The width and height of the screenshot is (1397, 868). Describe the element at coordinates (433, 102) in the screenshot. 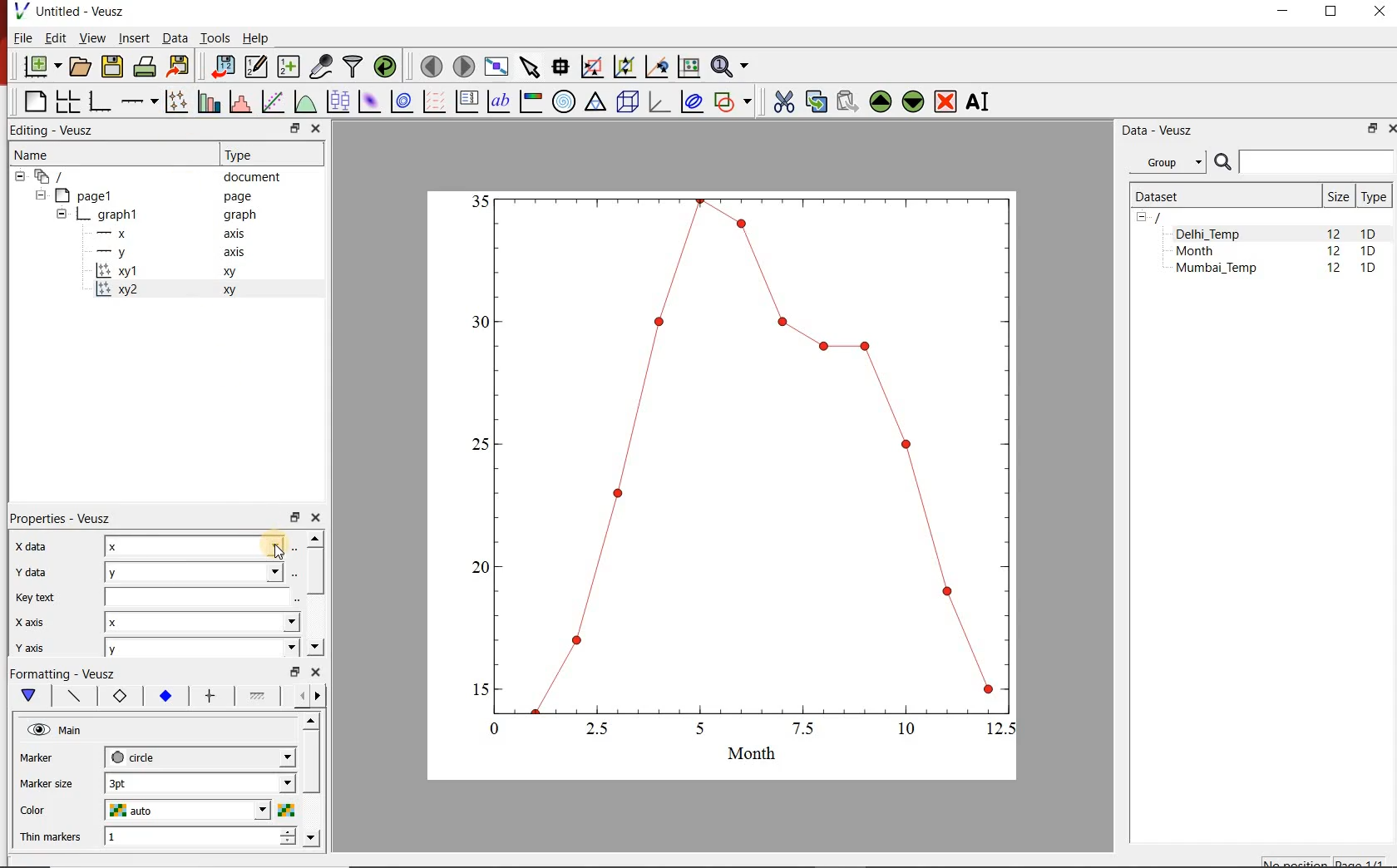

I see `plot a vector field` at that location.